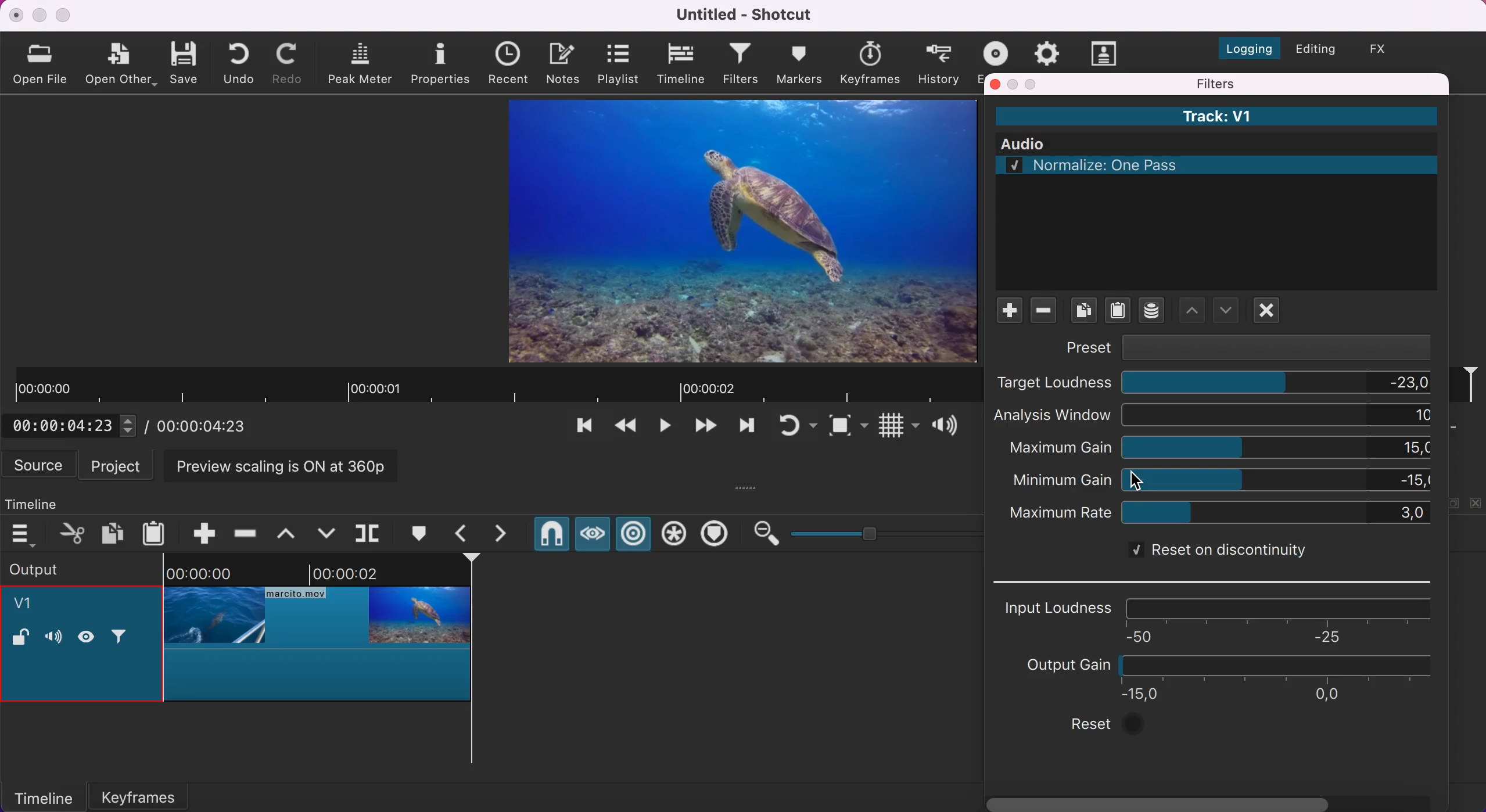 The height and width of the screenshot is (812, 1486). I want to click on normalize: one pass, so click(1227, 165).